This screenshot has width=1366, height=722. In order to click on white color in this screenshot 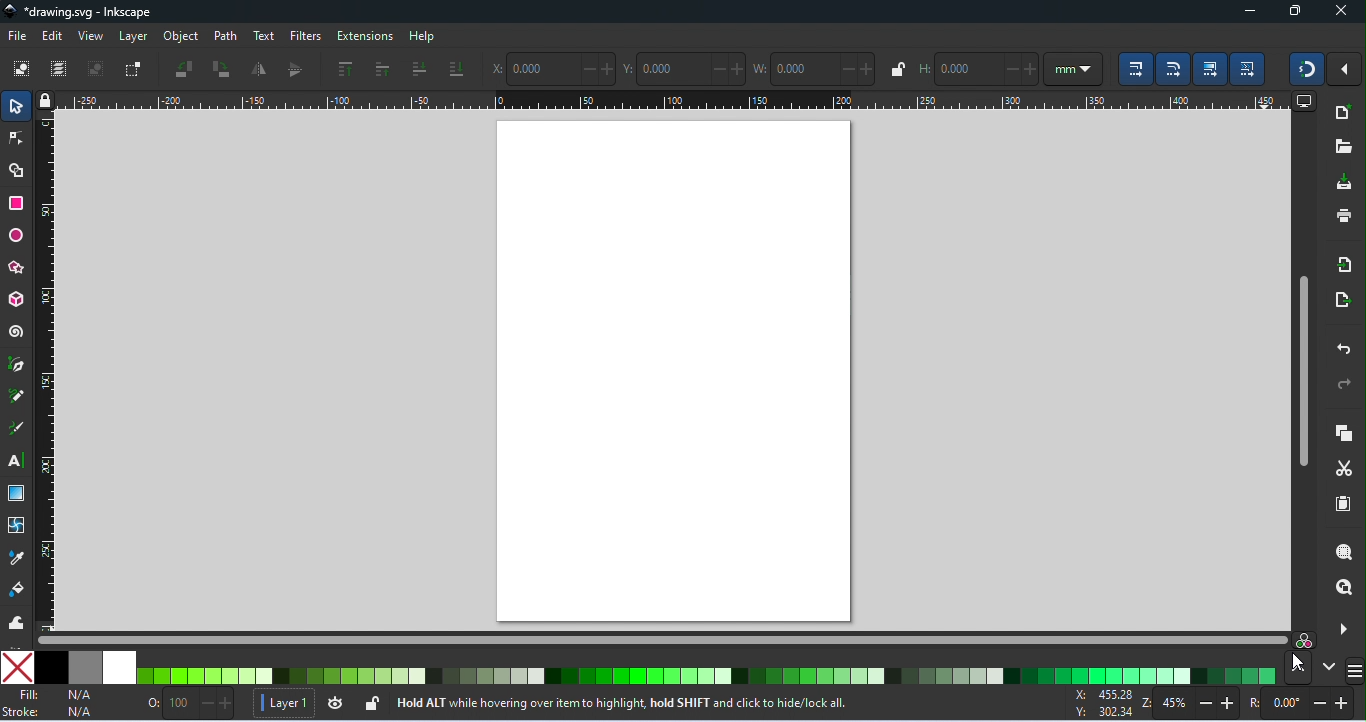, I will do `click(122, 666)`.